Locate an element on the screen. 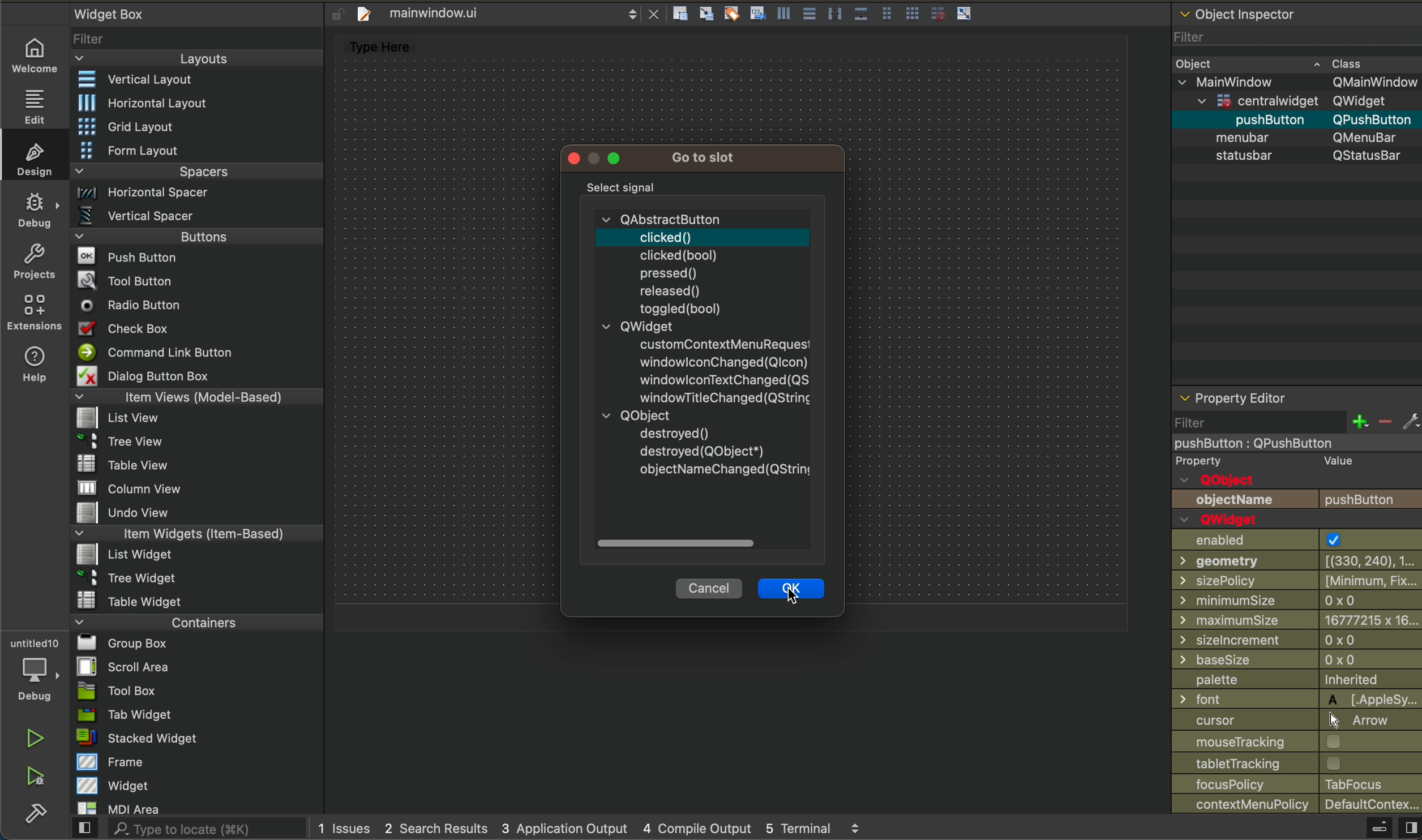  Filter is located at coordinates (1184, 35).